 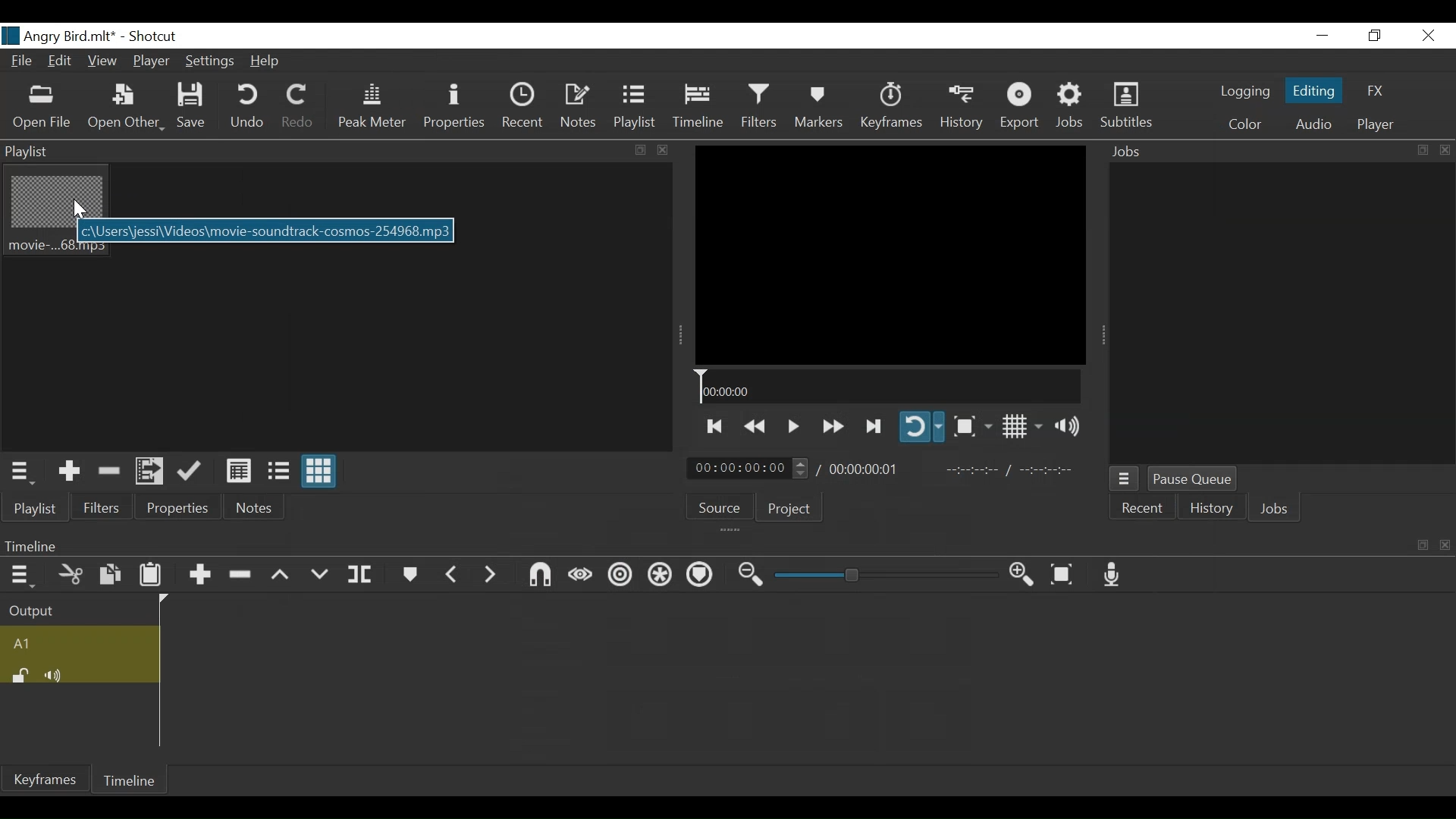 What do you see at coordinates (618, 576) in the screenshot?
I see `Ripple ` at bounding box center [618, 576].